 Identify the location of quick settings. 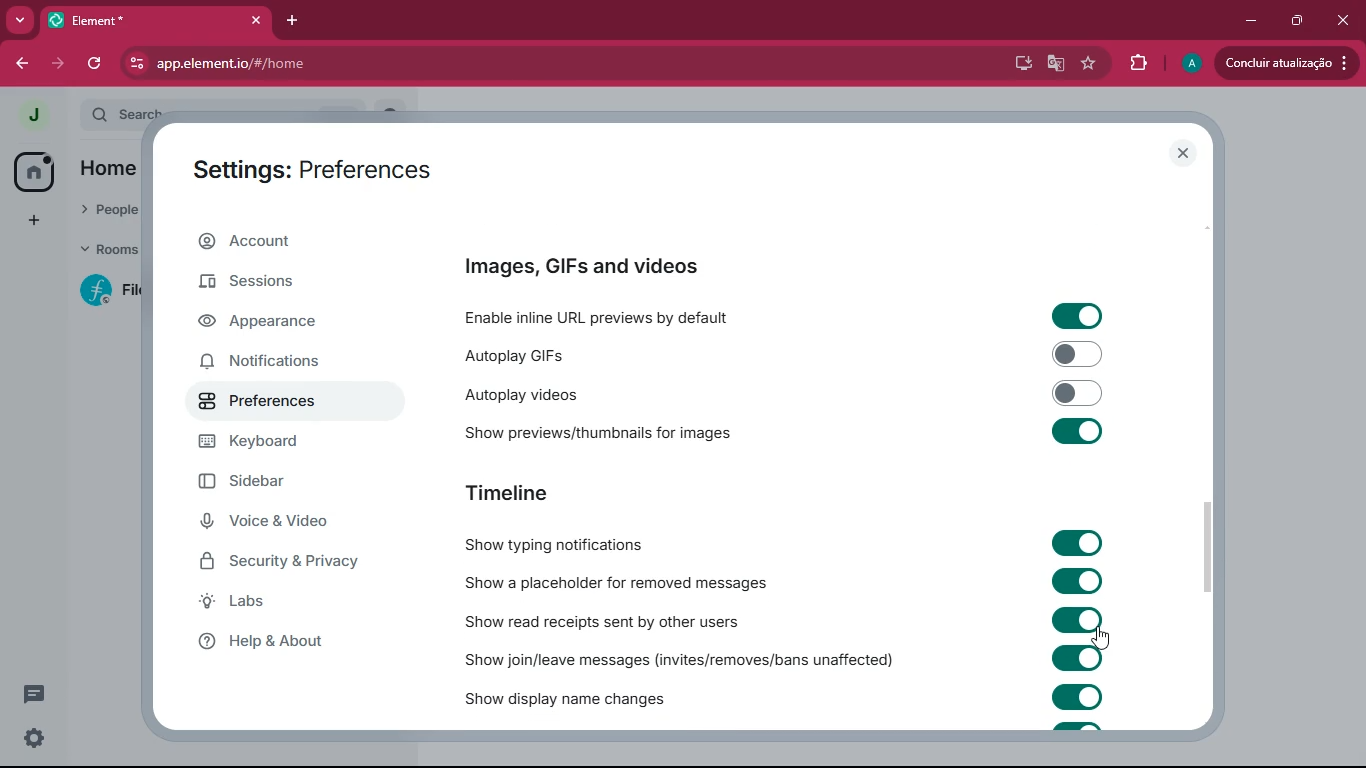
(34, 738).